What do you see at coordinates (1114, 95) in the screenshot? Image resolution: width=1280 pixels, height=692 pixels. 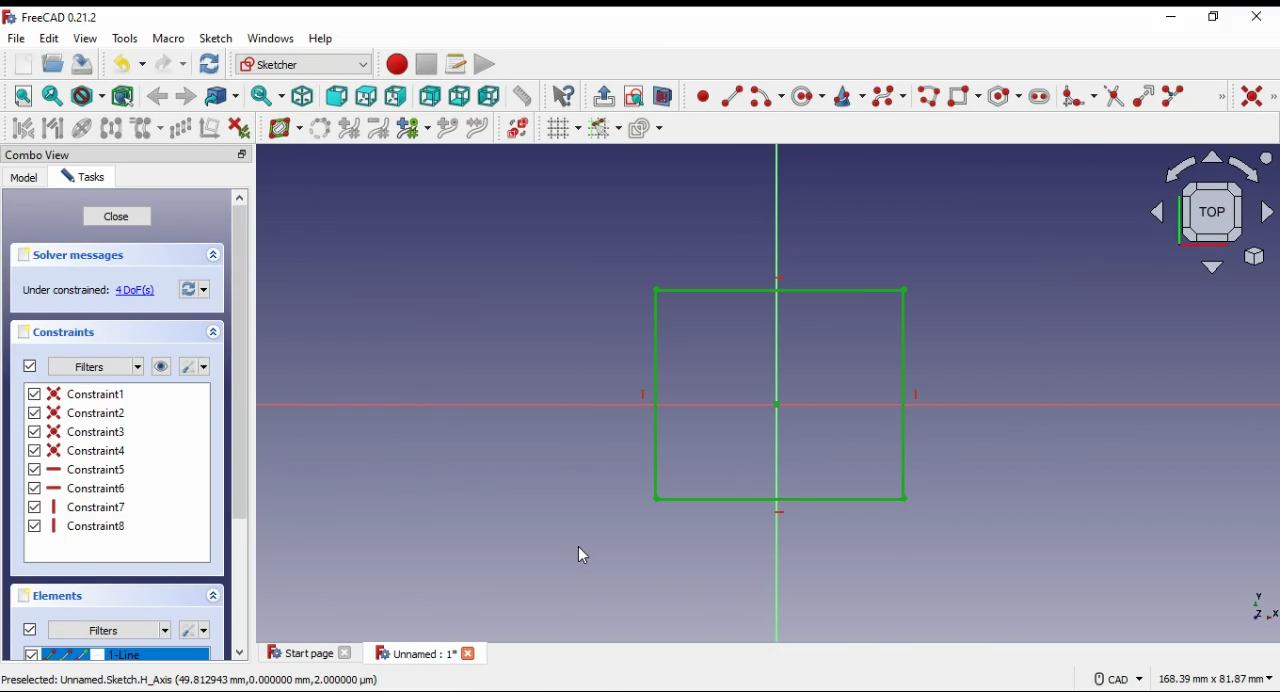 I see `trim edge` at bounding box center [1114, 95].